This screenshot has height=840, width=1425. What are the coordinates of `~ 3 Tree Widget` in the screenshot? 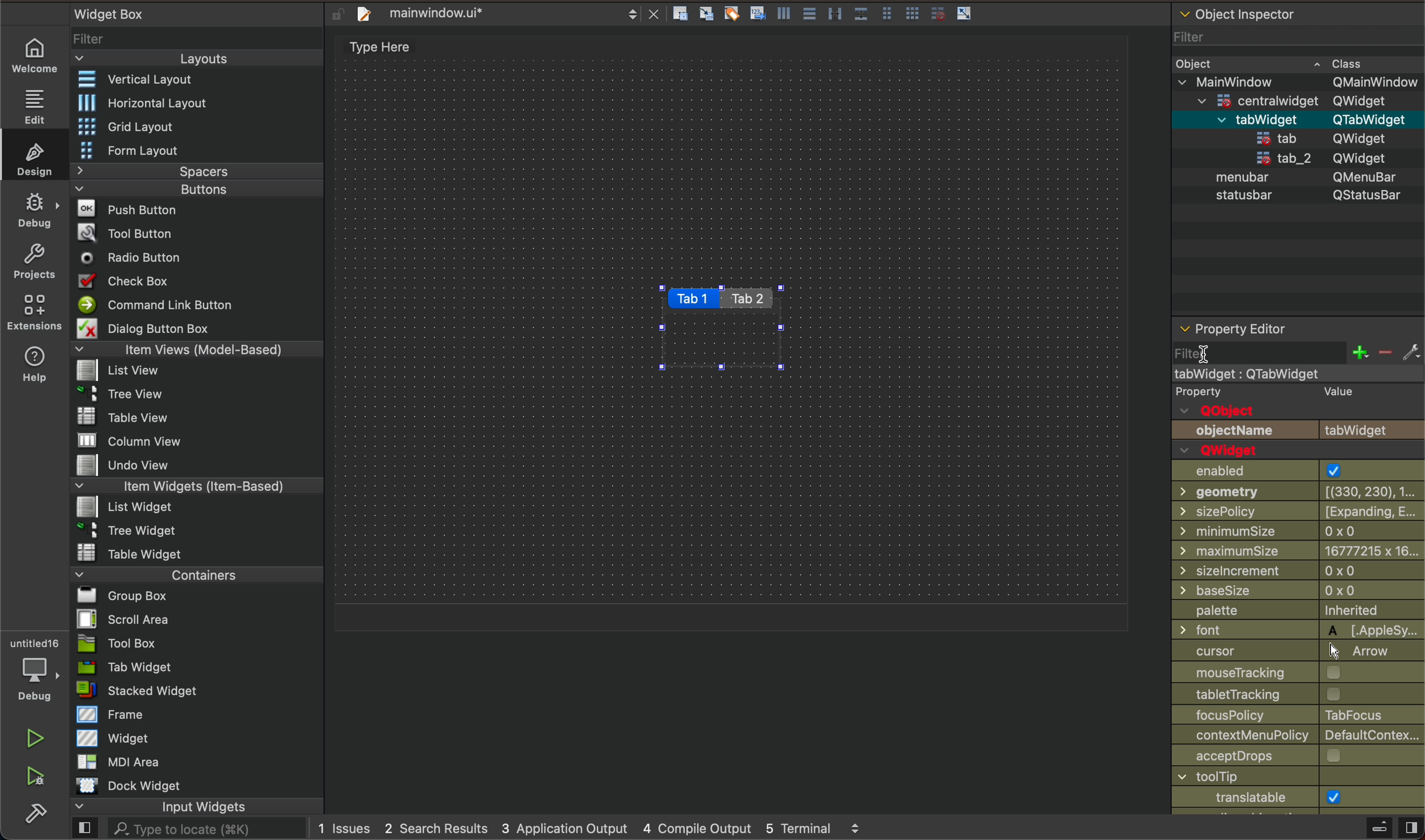 It's located at (119, 530).